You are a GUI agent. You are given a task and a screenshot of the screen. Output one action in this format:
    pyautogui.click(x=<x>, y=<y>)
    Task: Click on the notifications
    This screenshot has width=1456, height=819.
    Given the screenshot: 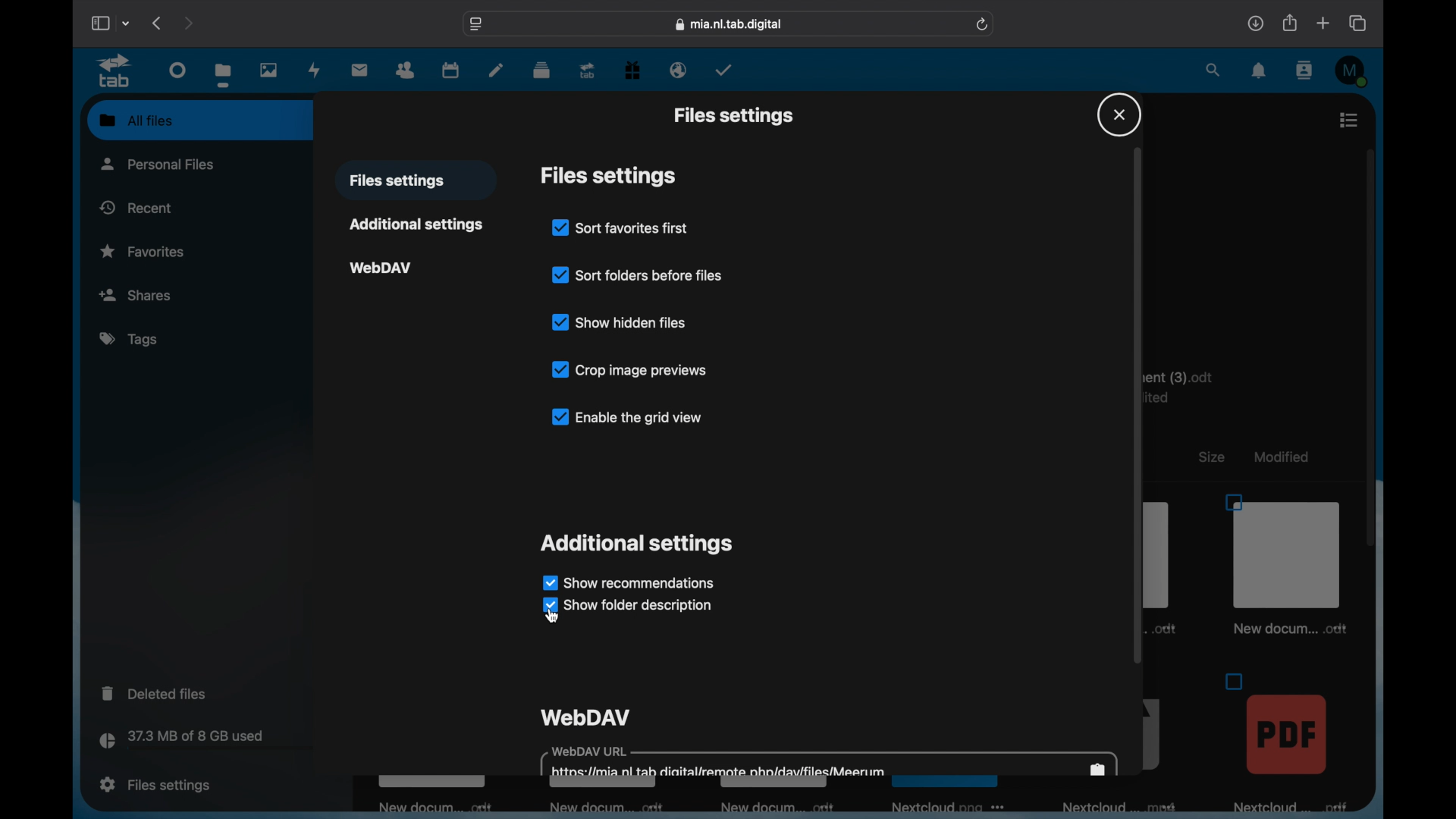 What is the action you would take?
    pyautogui.click(x=1260, y=71)
    